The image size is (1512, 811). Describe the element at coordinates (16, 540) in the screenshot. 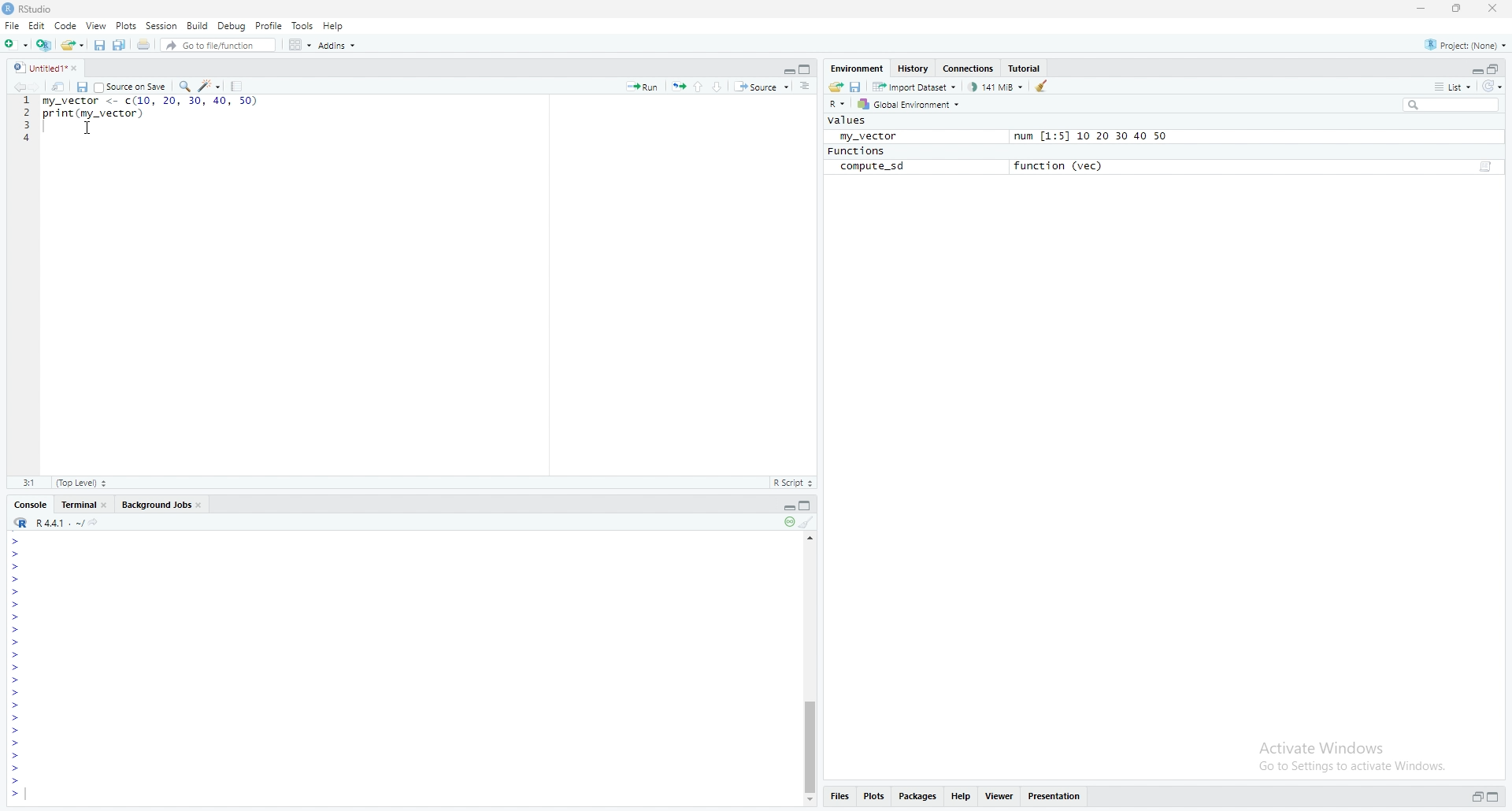

I see `Prompt cursor` at that location.